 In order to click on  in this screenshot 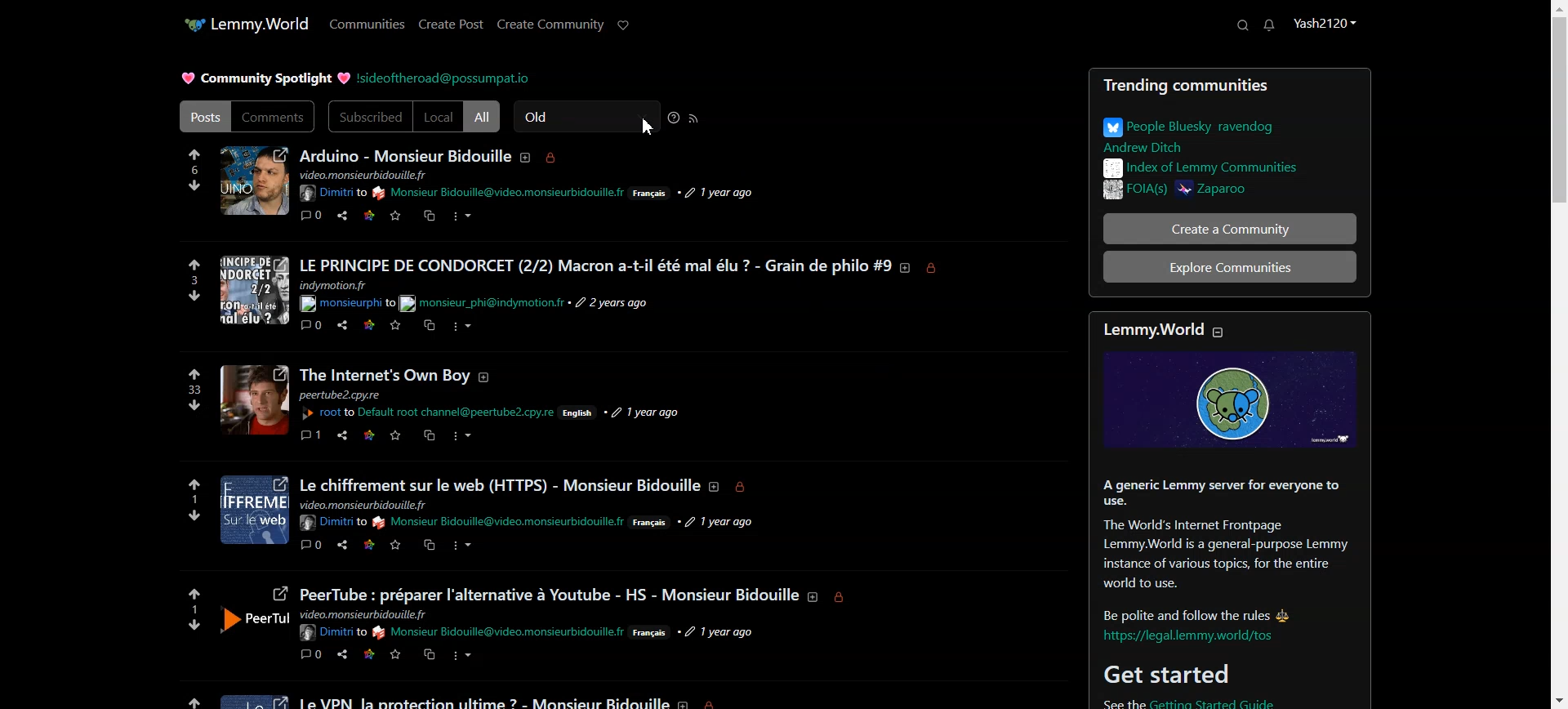, I will do `click(369, 654)`.